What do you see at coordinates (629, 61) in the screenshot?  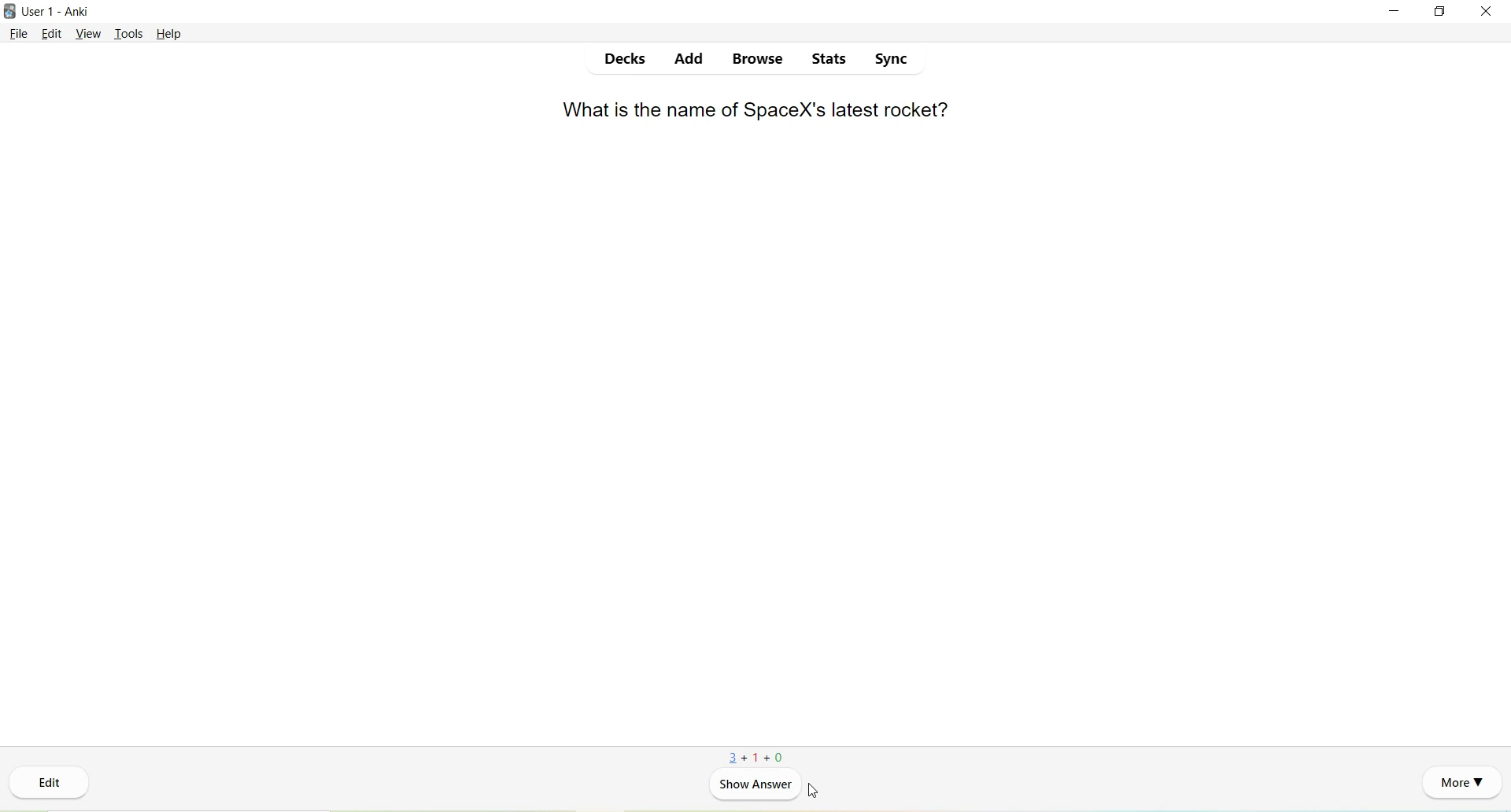 I see `Decks` at bounding box center [629, 61].